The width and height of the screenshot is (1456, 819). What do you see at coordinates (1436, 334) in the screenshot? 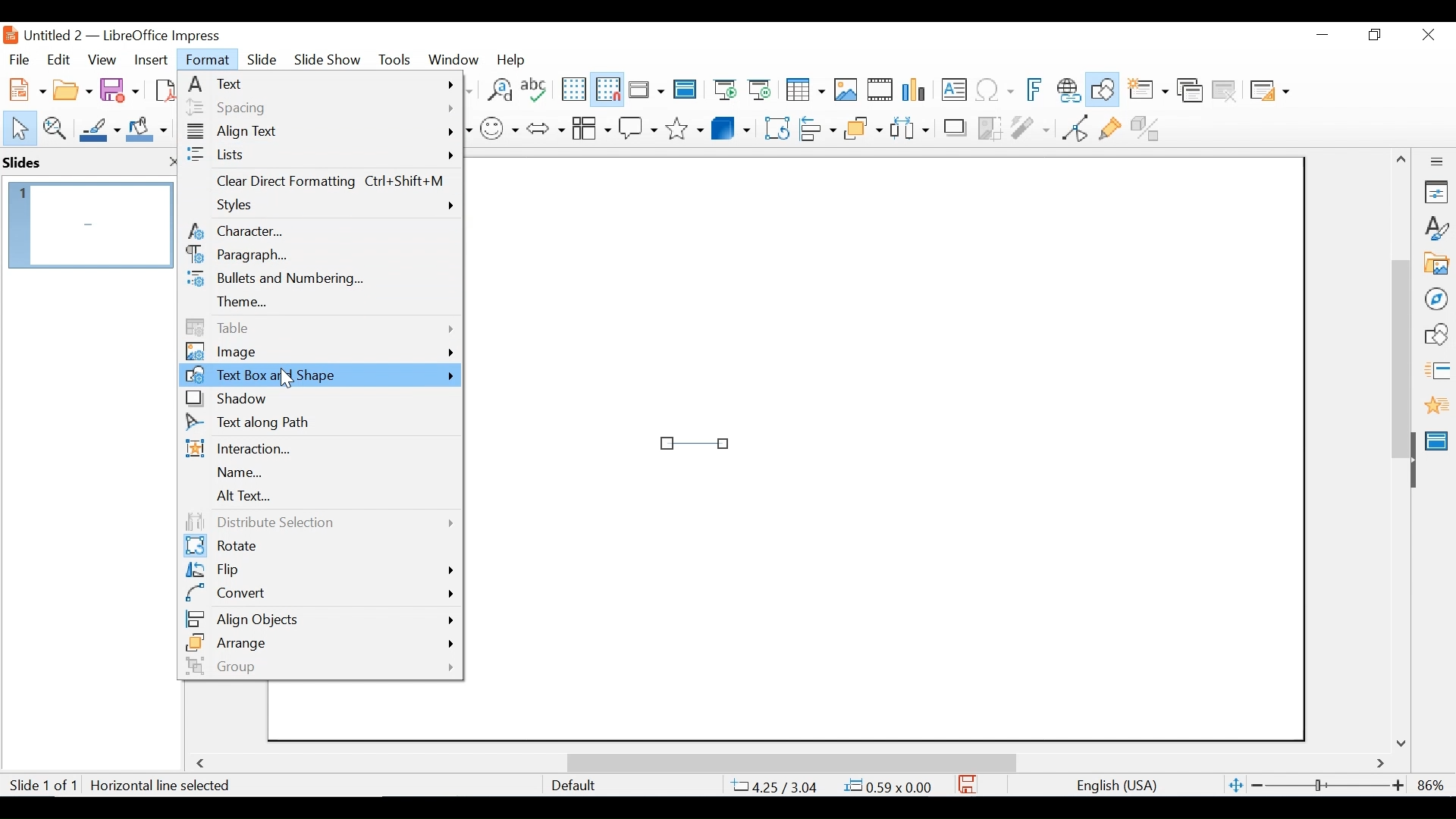
I see `Shapes` at bounding box center [1436, 334].